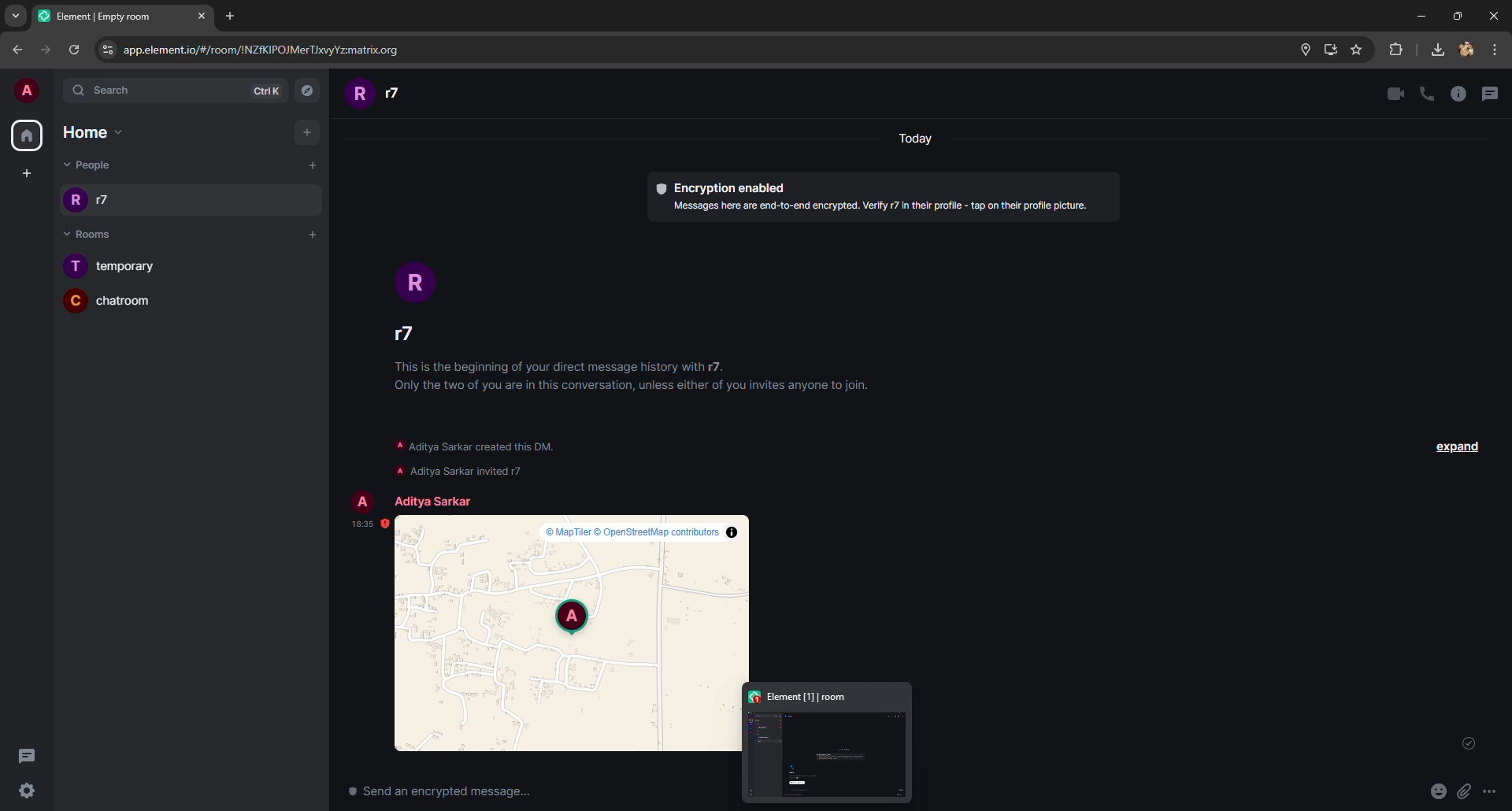 The height and width of the screenshot is (811, 1512). What do you see at coordinates (1428, 94) in the screenshot?
I see `voice call` at bounding box center [1428, 94].